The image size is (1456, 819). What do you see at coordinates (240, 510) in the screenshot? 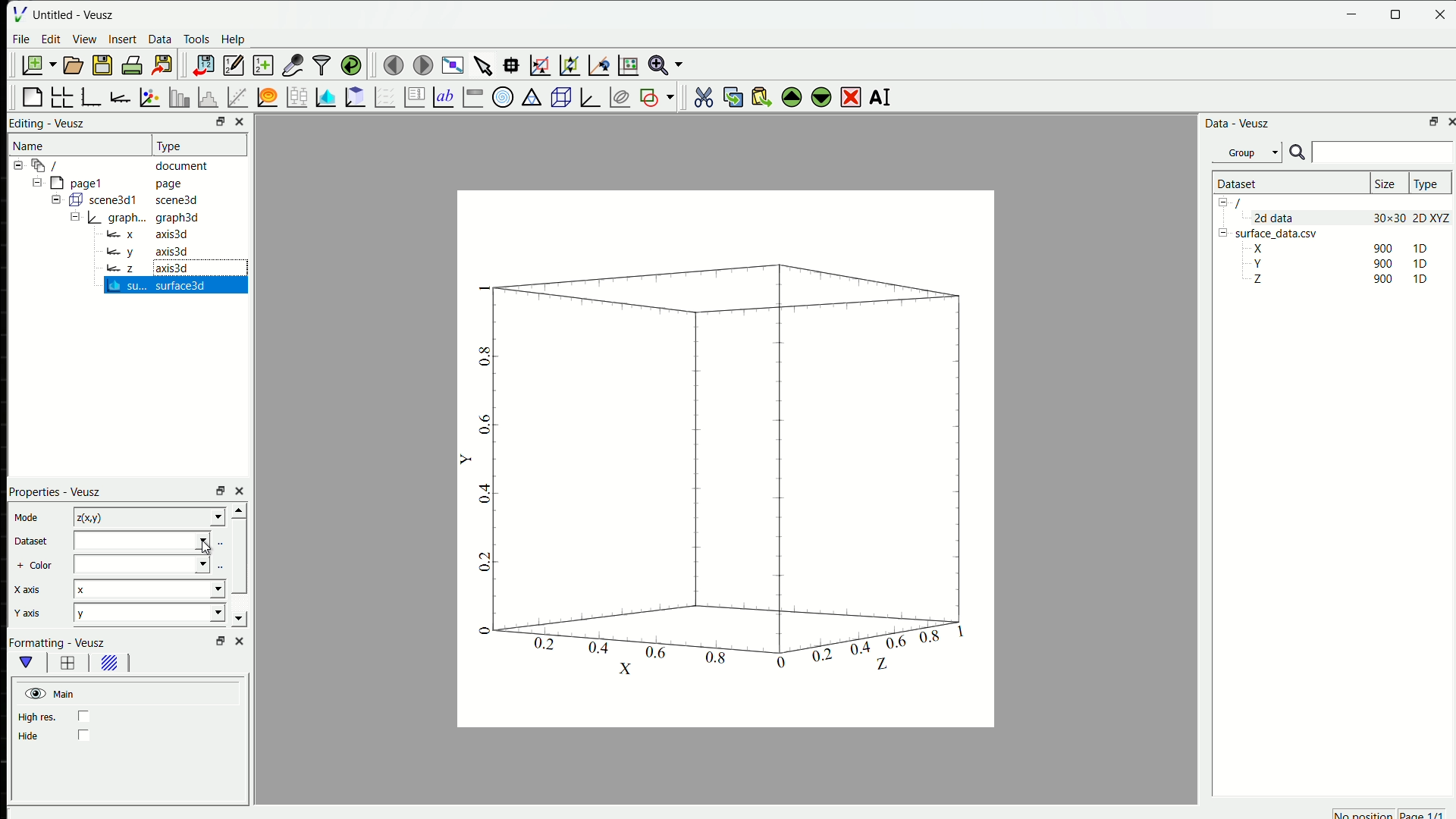
I see `scroll up` at bounding box center [240, 510].